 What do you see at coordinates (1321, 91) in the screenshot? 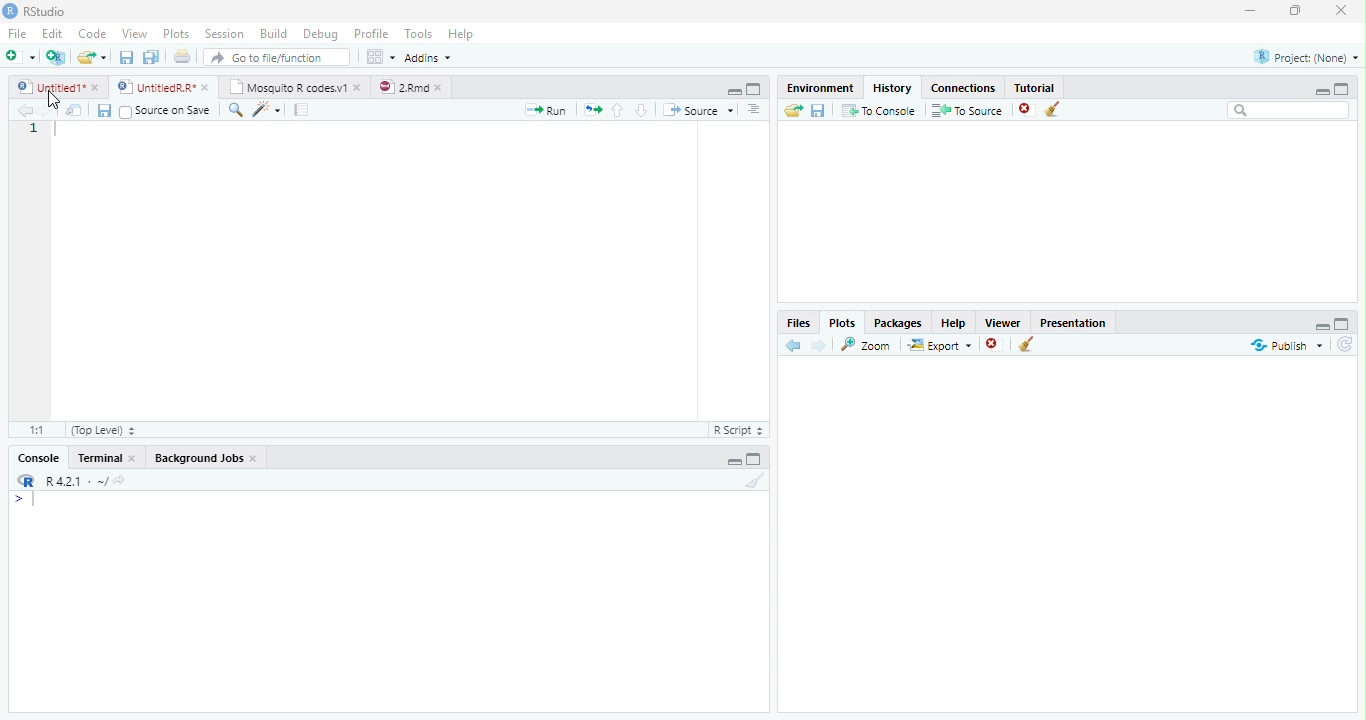
I see `Minimize Height` at bounding box center [1321, 91].